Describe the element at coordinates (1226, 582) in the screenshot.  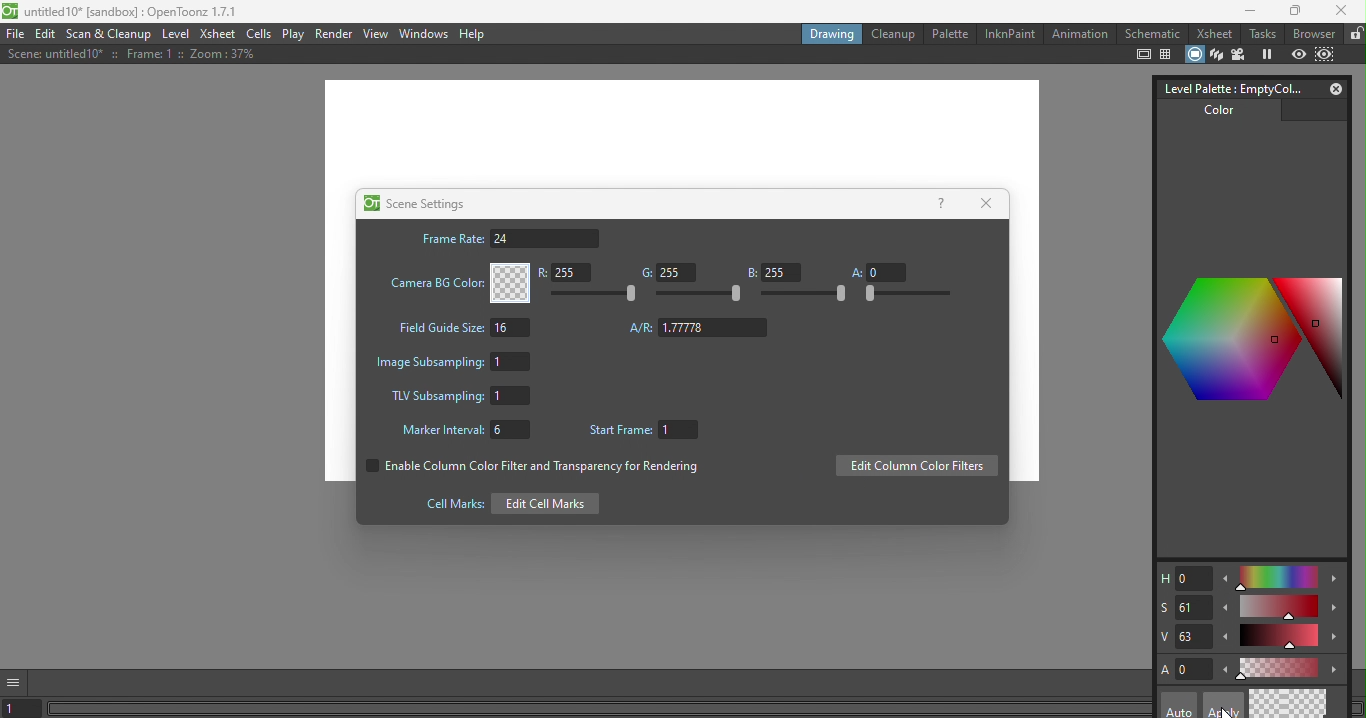
I see `Decrease` at that location.